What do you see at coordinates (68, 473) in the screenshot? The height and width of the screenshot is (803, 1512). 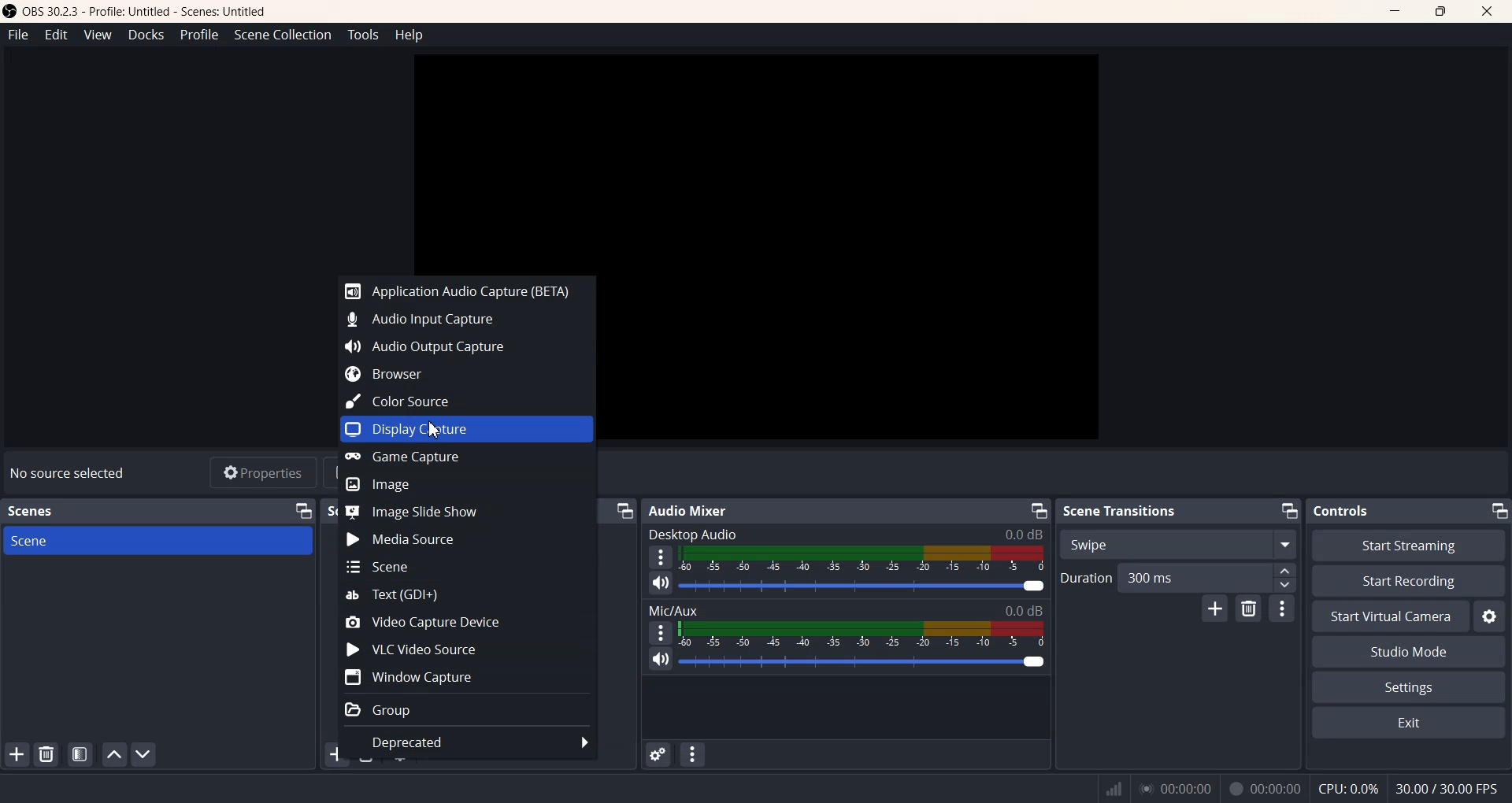 I see `Text` at bounding box center [68, 473].